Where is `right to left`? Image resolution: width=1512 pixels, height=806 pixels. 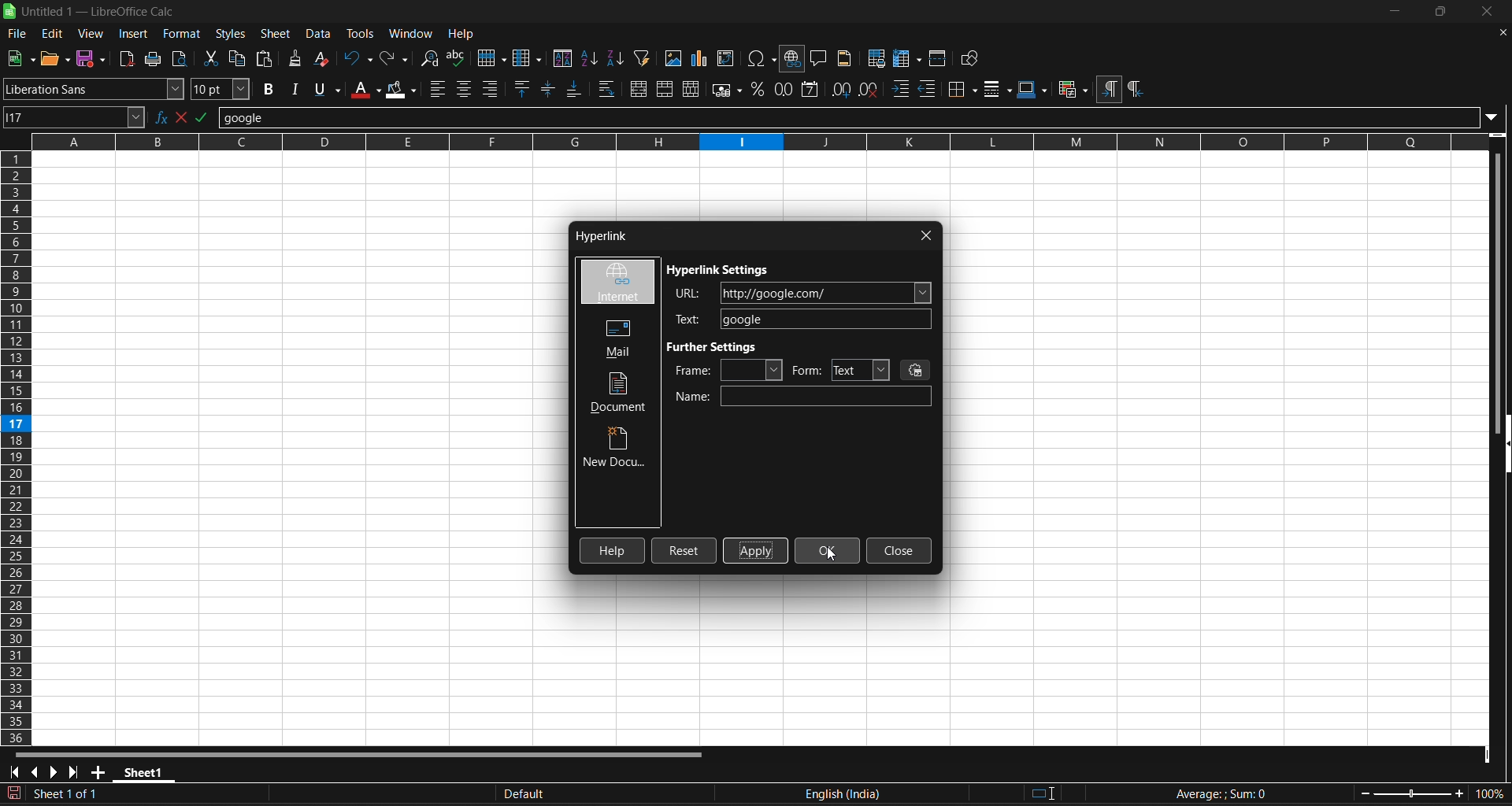
right to left is located at coordinates (1135, 90).